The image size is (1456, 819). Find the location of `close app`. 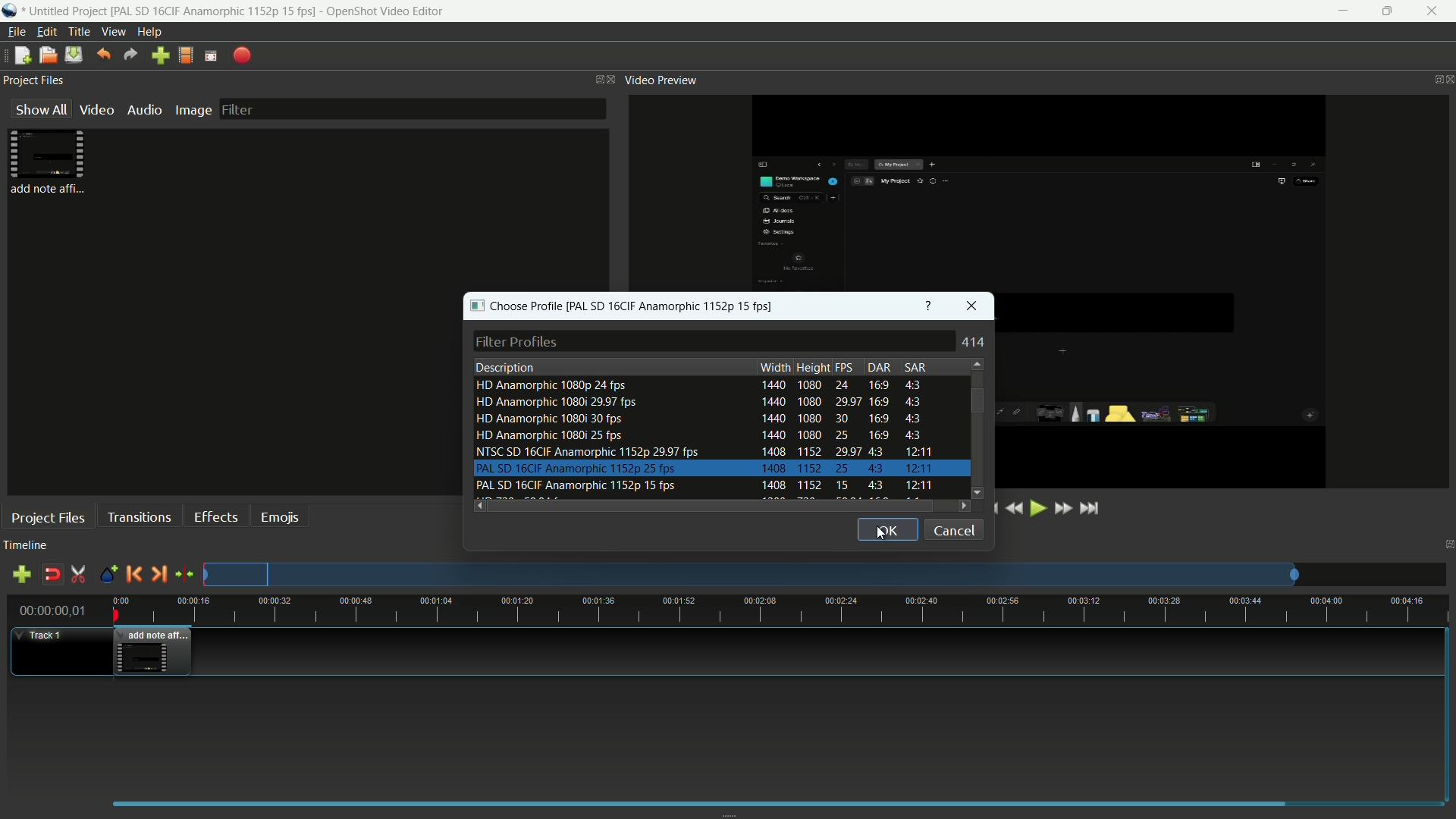

close app is located at coordinates (1436, 11).